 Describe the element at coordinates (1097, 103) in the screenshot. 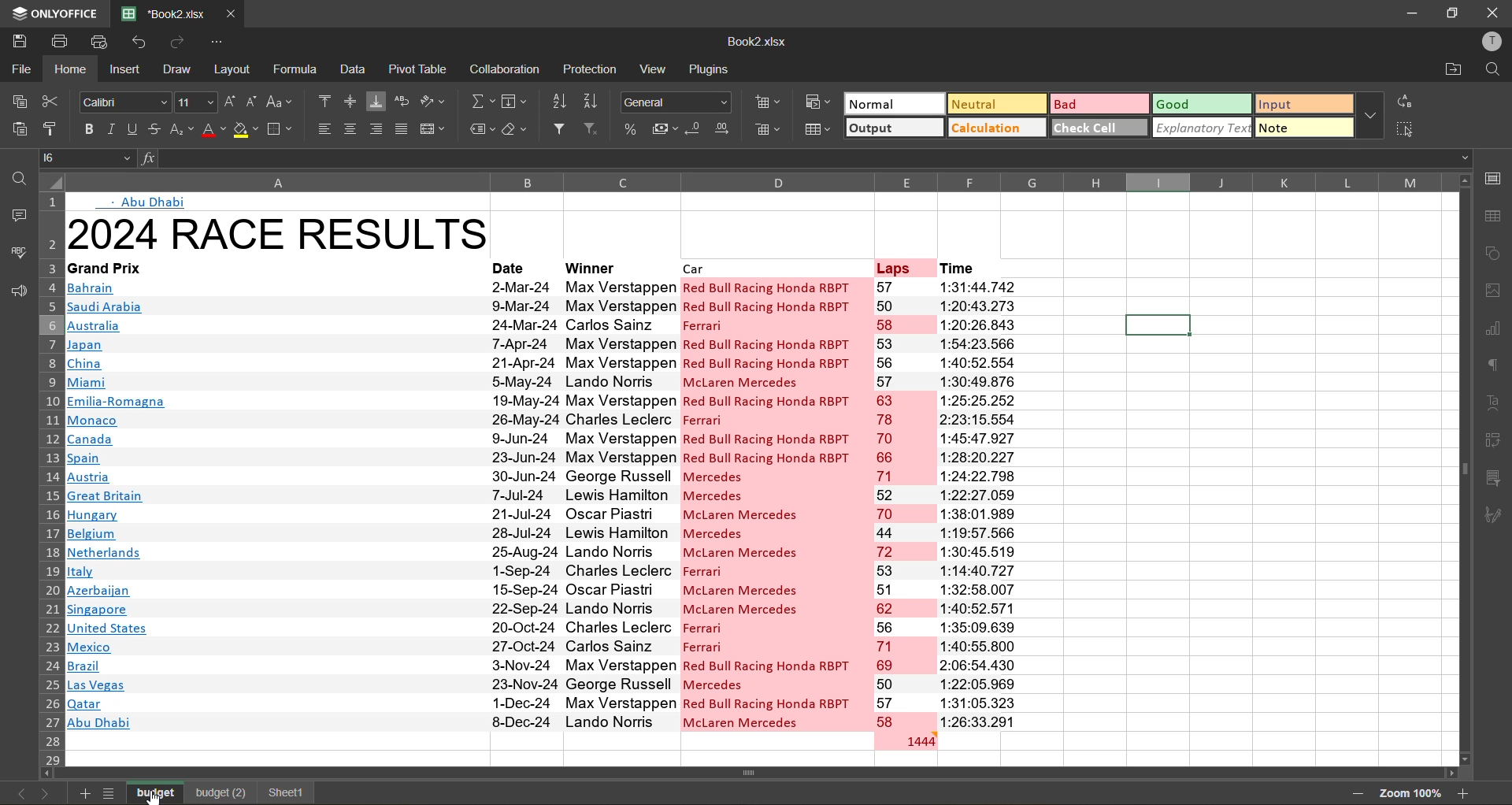

I see `bad` at that location.